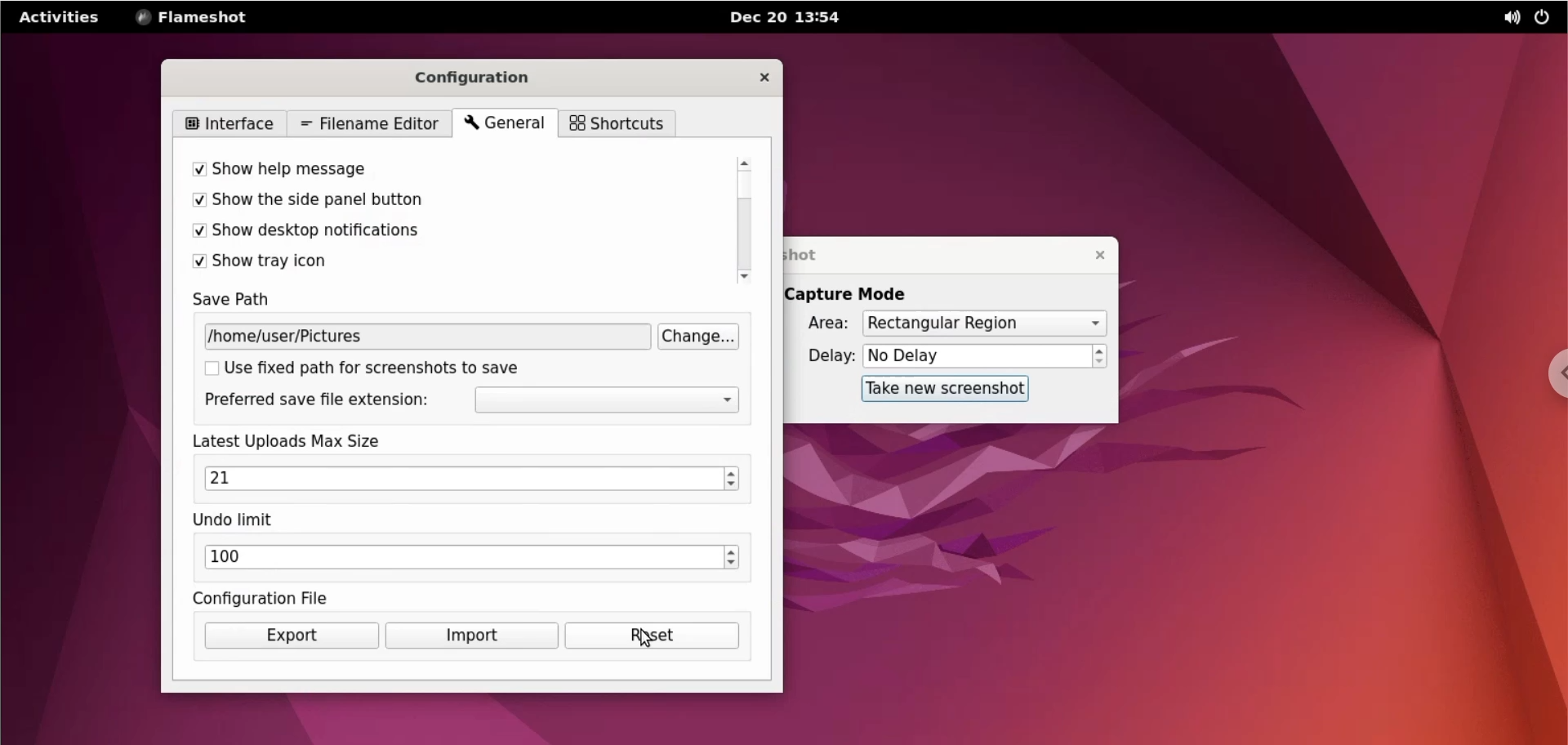 This screenshot has height=745, width=1568. What do you see at coordinates (461, 480) in the screenshot?
I see `max size text box` at bounding box center [461, 480].